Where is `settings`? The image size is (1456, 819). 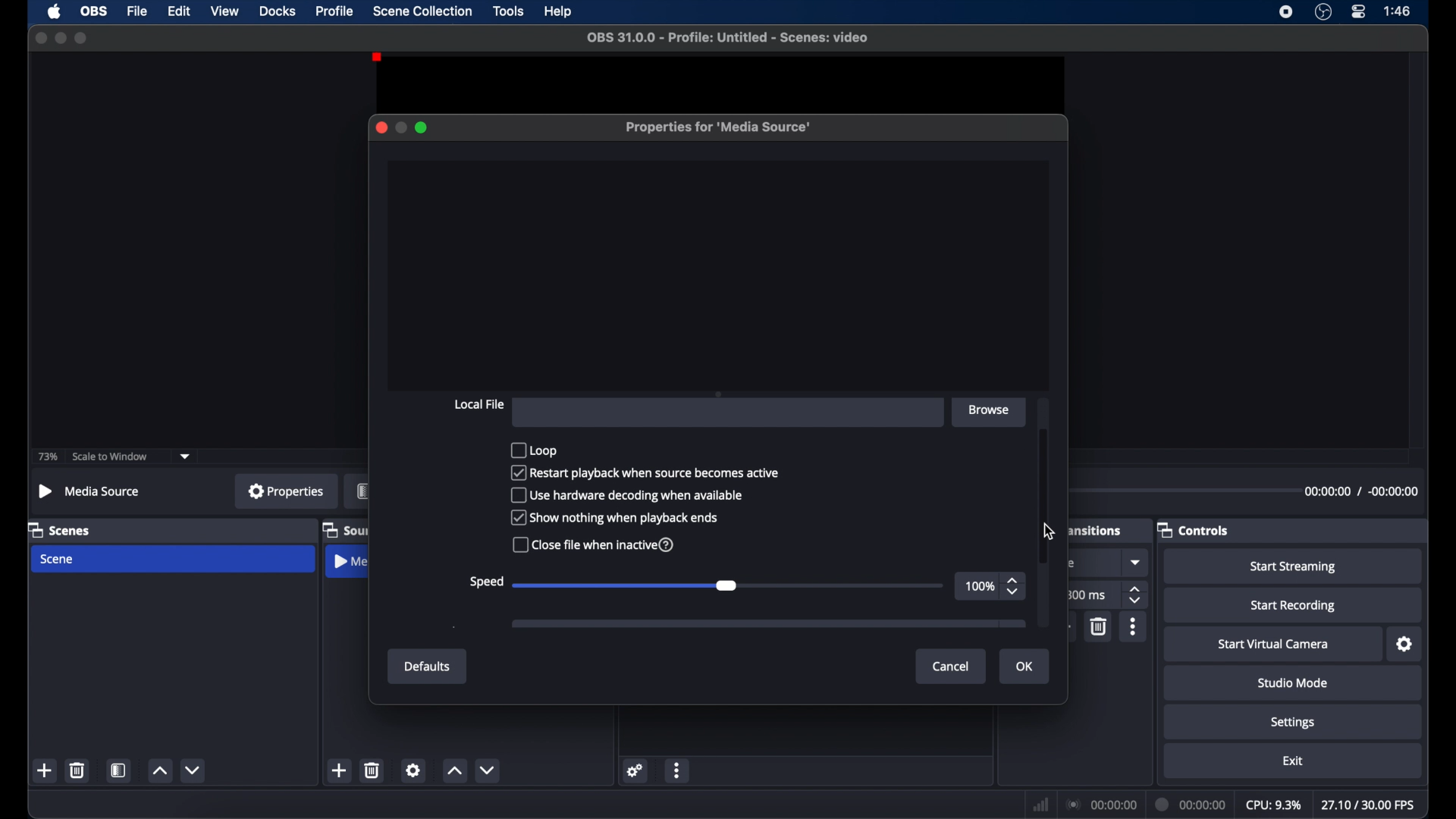
settings is located at coordinates (413, 770).